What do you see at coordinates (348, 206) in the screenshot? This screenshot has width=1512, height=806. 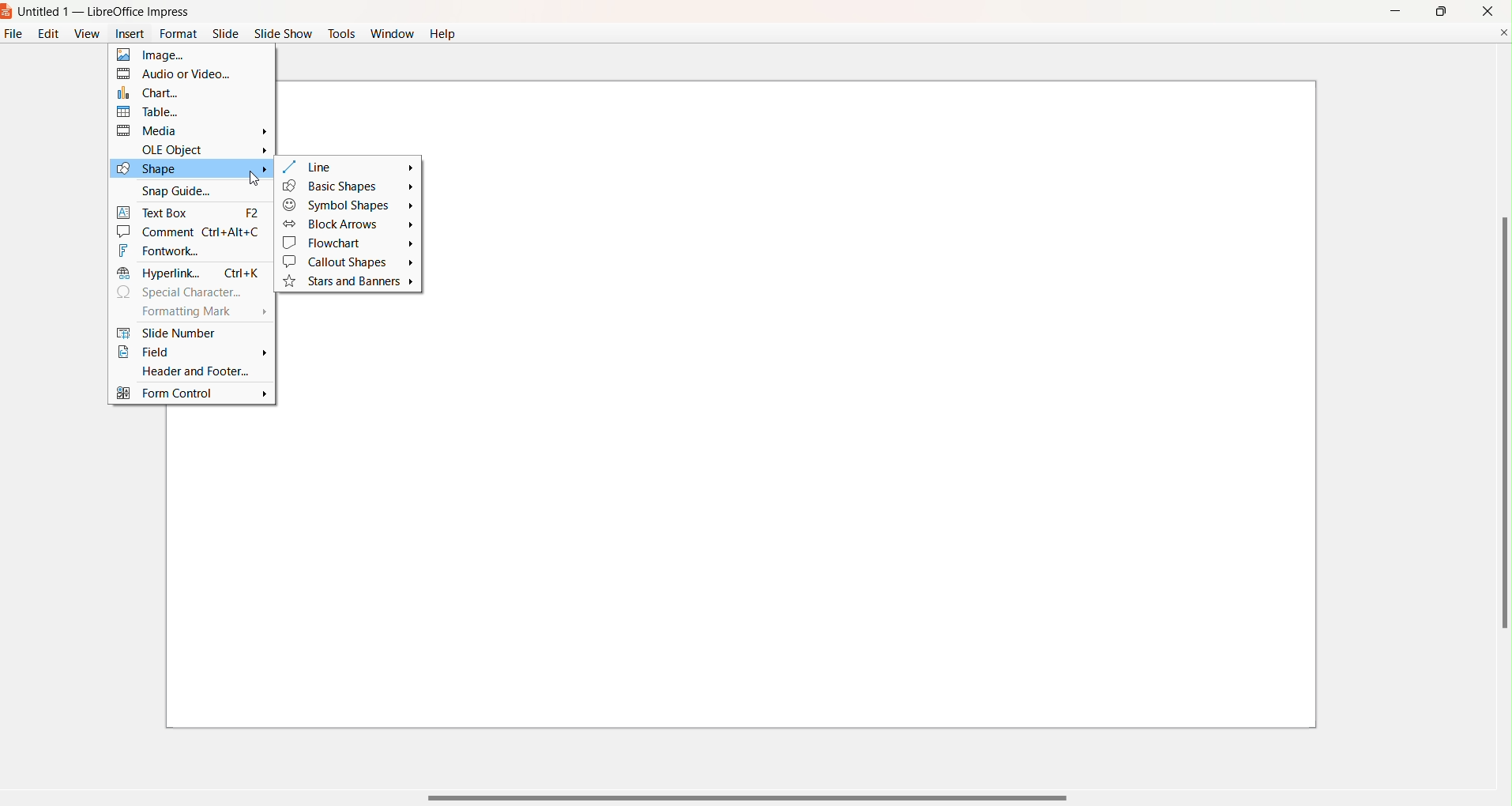 I see `Symbol Shapes` at bounding box center [348, 206].